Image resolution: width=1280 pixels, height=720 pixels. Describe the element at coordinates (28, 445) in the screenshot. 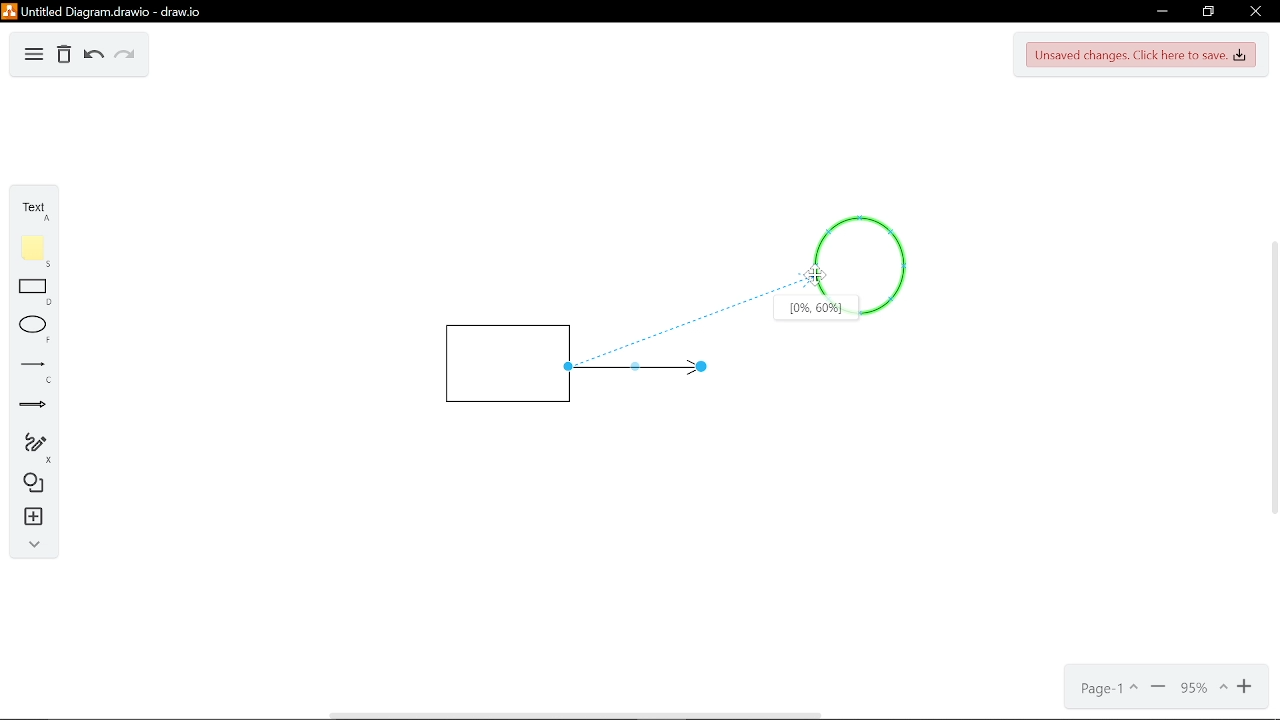

I see `Freehand` at that location.